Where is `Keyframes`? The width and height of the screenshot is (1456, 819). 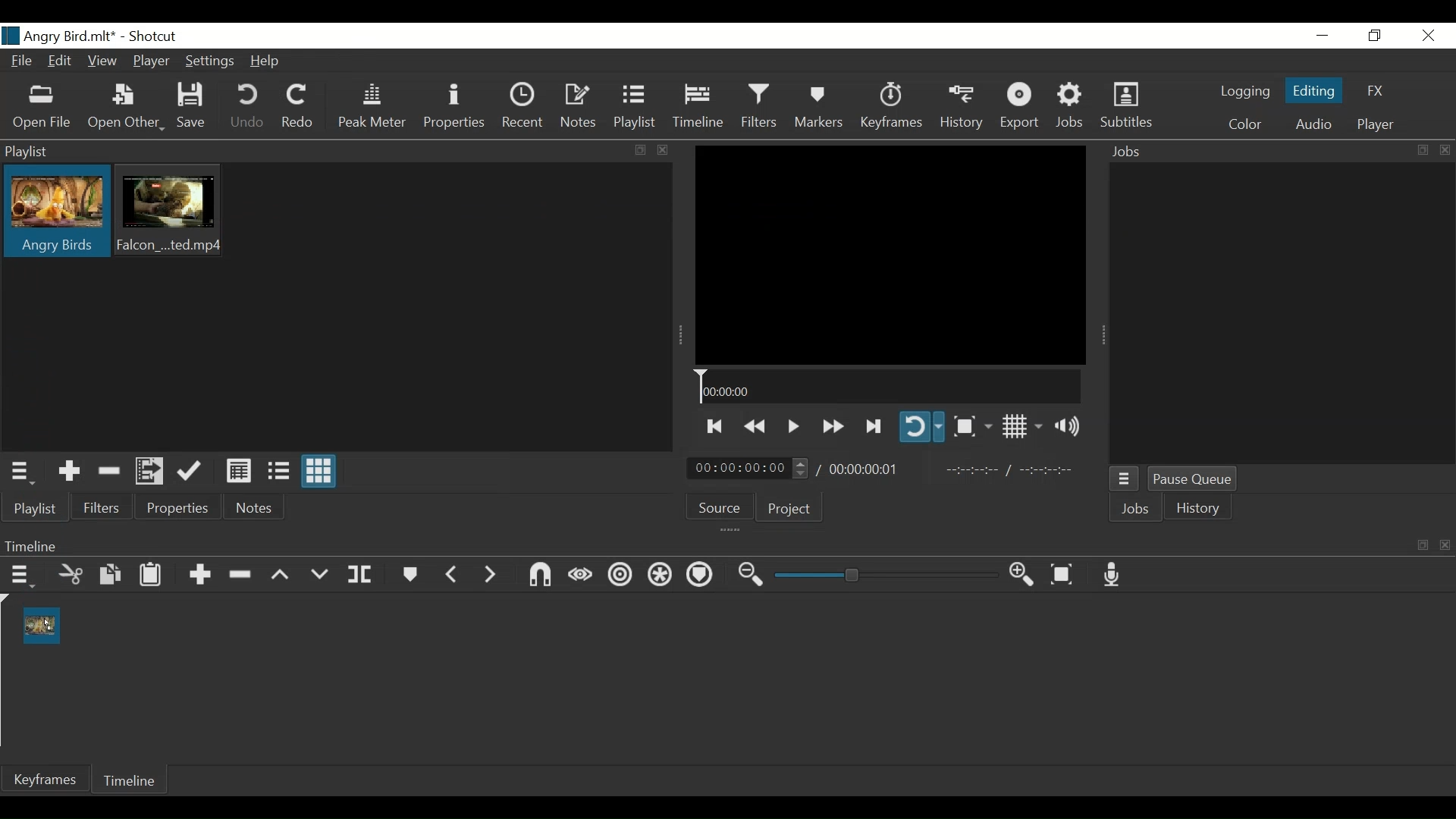 Keyframes is located at coordinates (891, 107).